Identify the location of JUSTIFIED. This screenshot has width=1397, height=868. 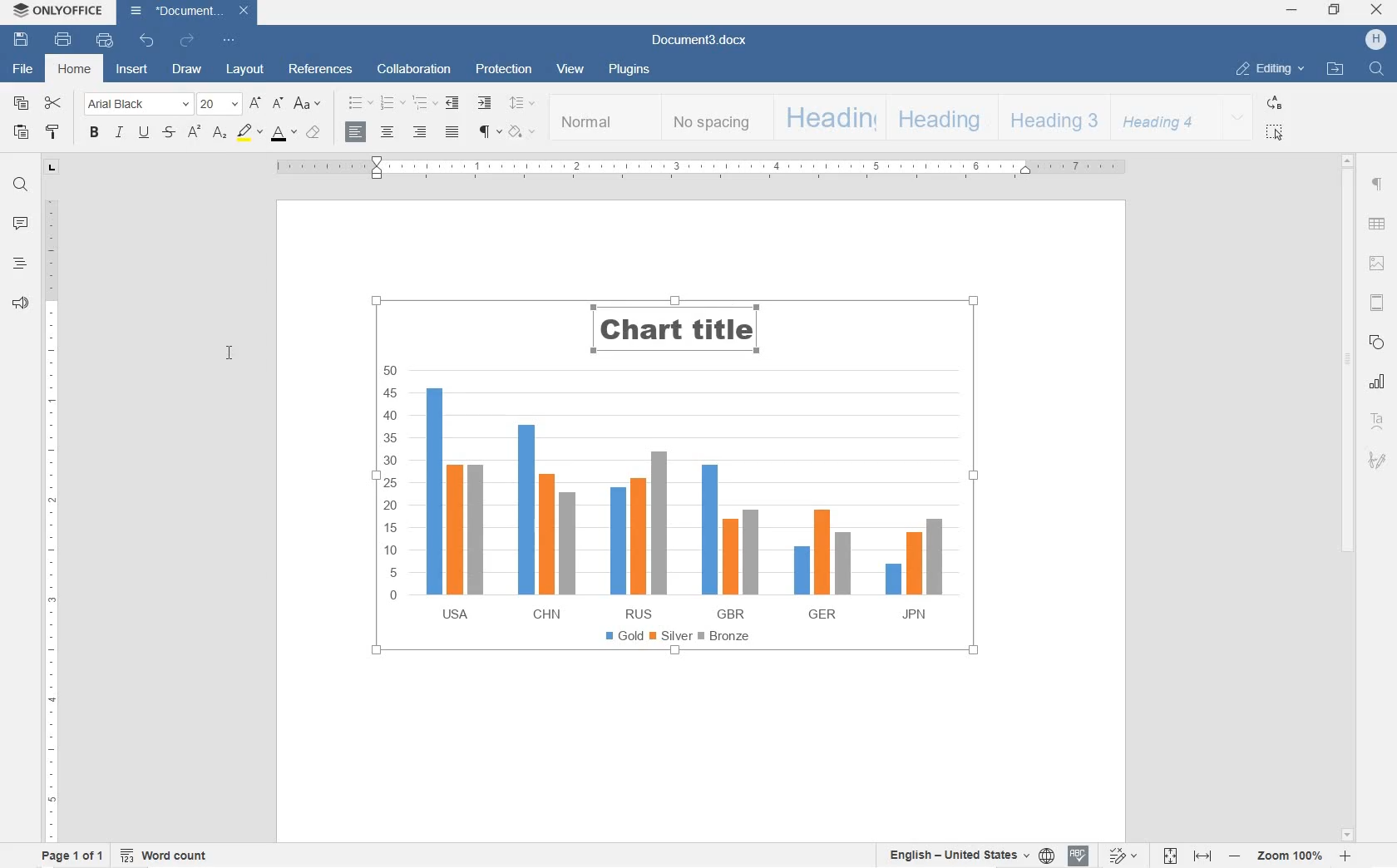
(452, 133).